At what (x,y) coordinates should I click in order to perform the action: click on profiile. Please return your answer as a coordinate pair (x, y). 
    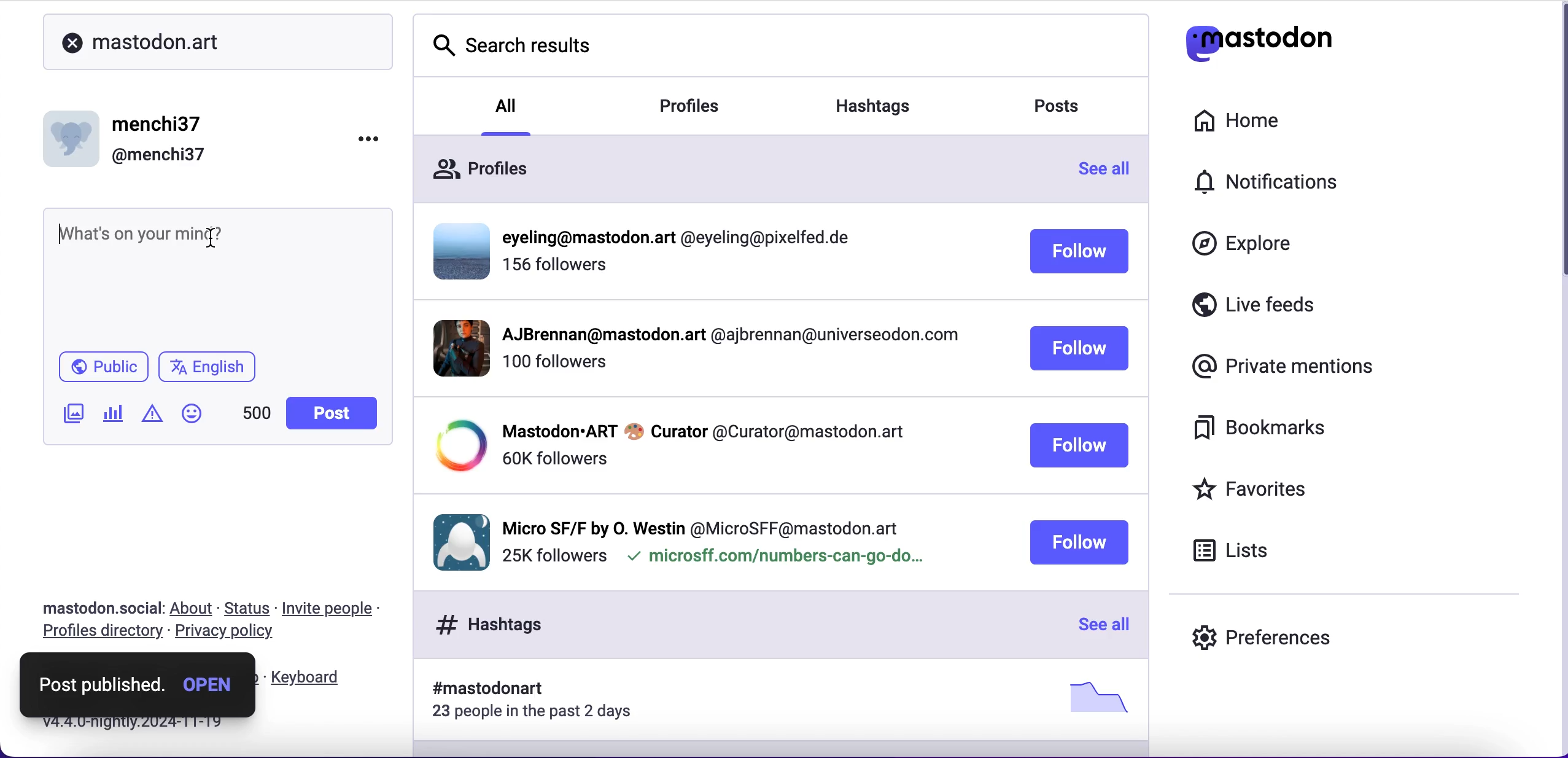
    Looking at the image, I should click on (683, 238).